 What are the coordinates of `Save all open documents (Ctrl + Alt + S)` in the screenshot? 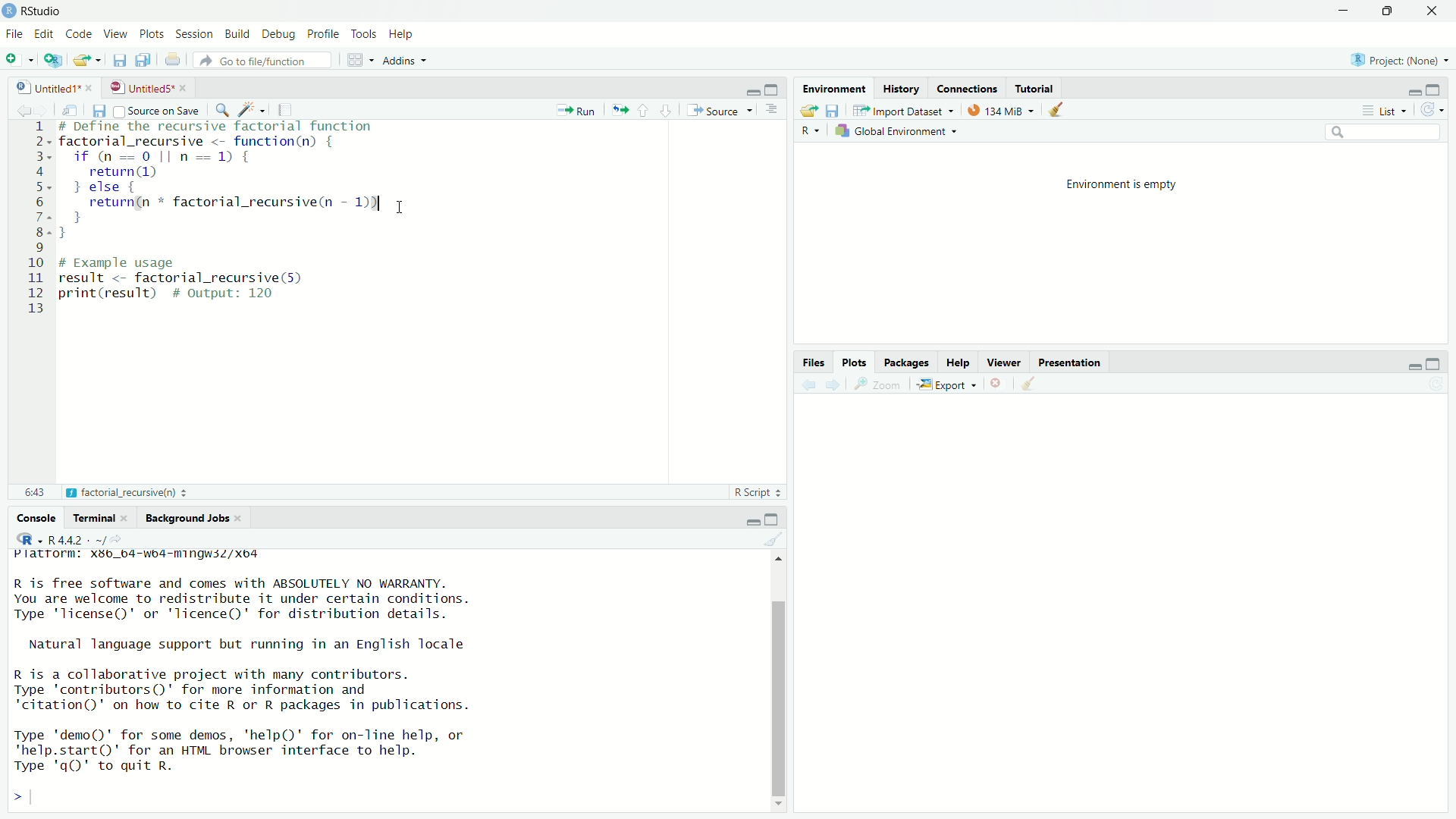 It's located at (148, 60).